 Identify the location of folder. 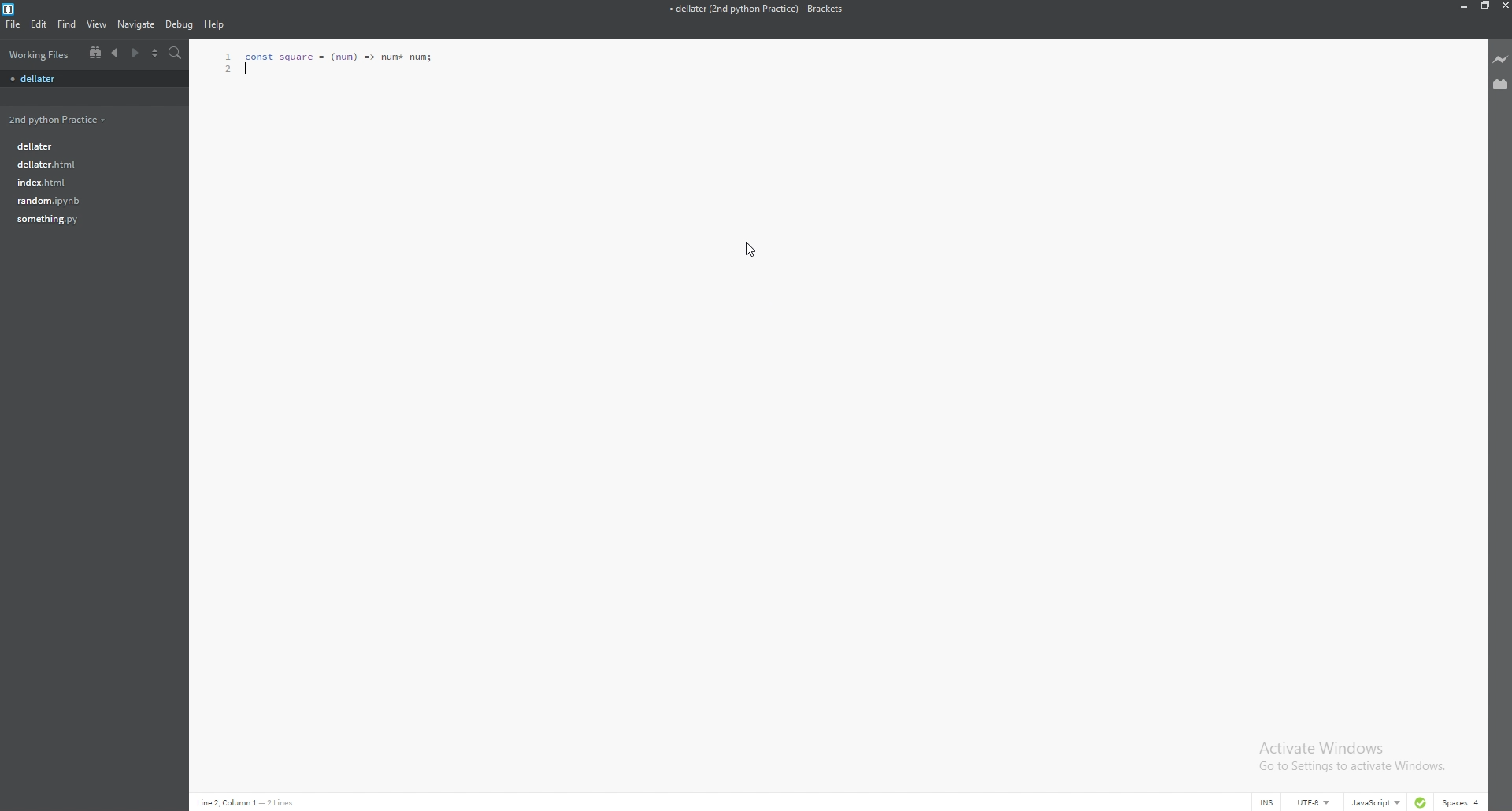
(56, 118).